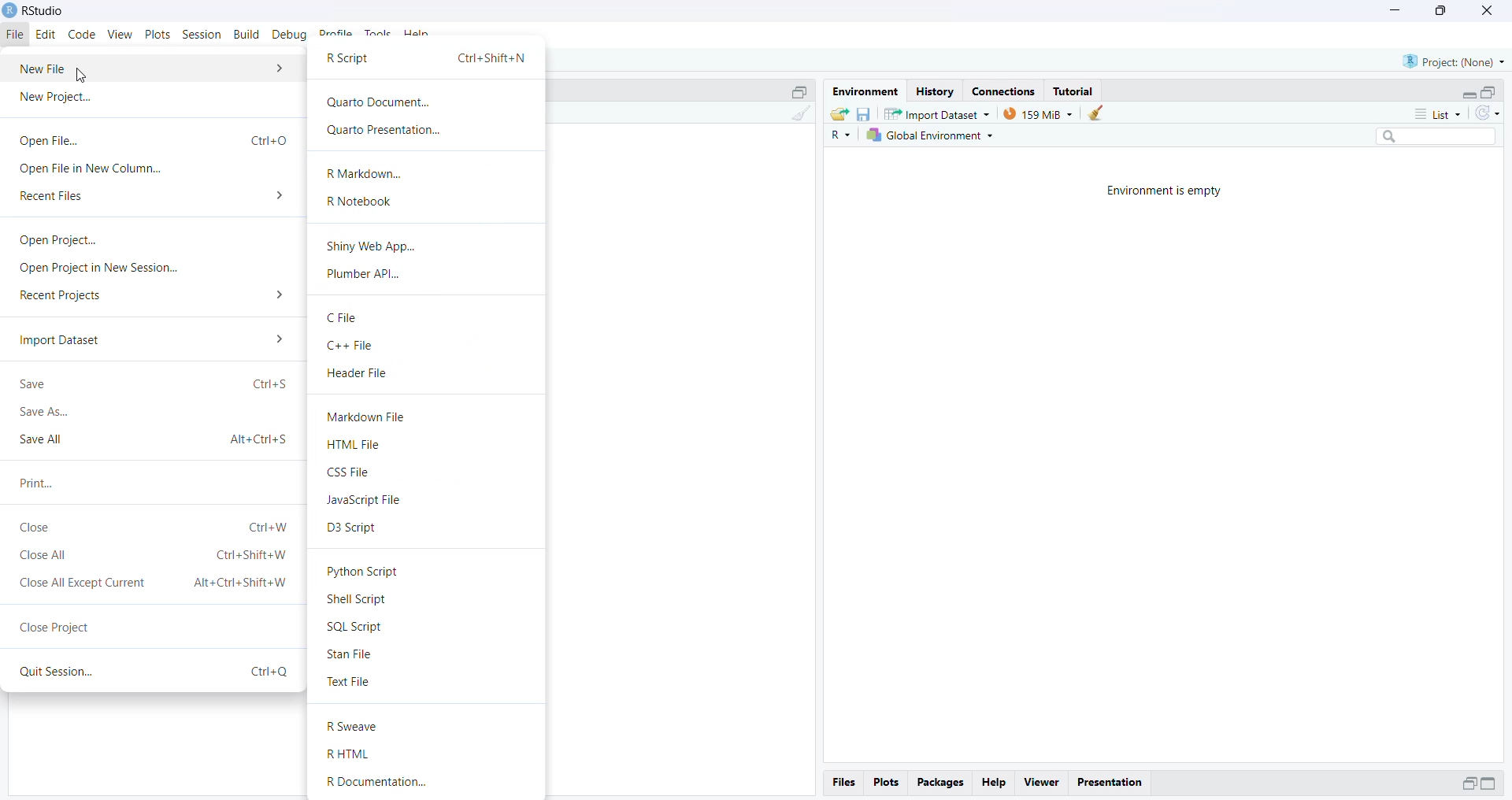  Describe the element at coordinates (369, 417) in the screenshot. I see `Markdown File` at that location.